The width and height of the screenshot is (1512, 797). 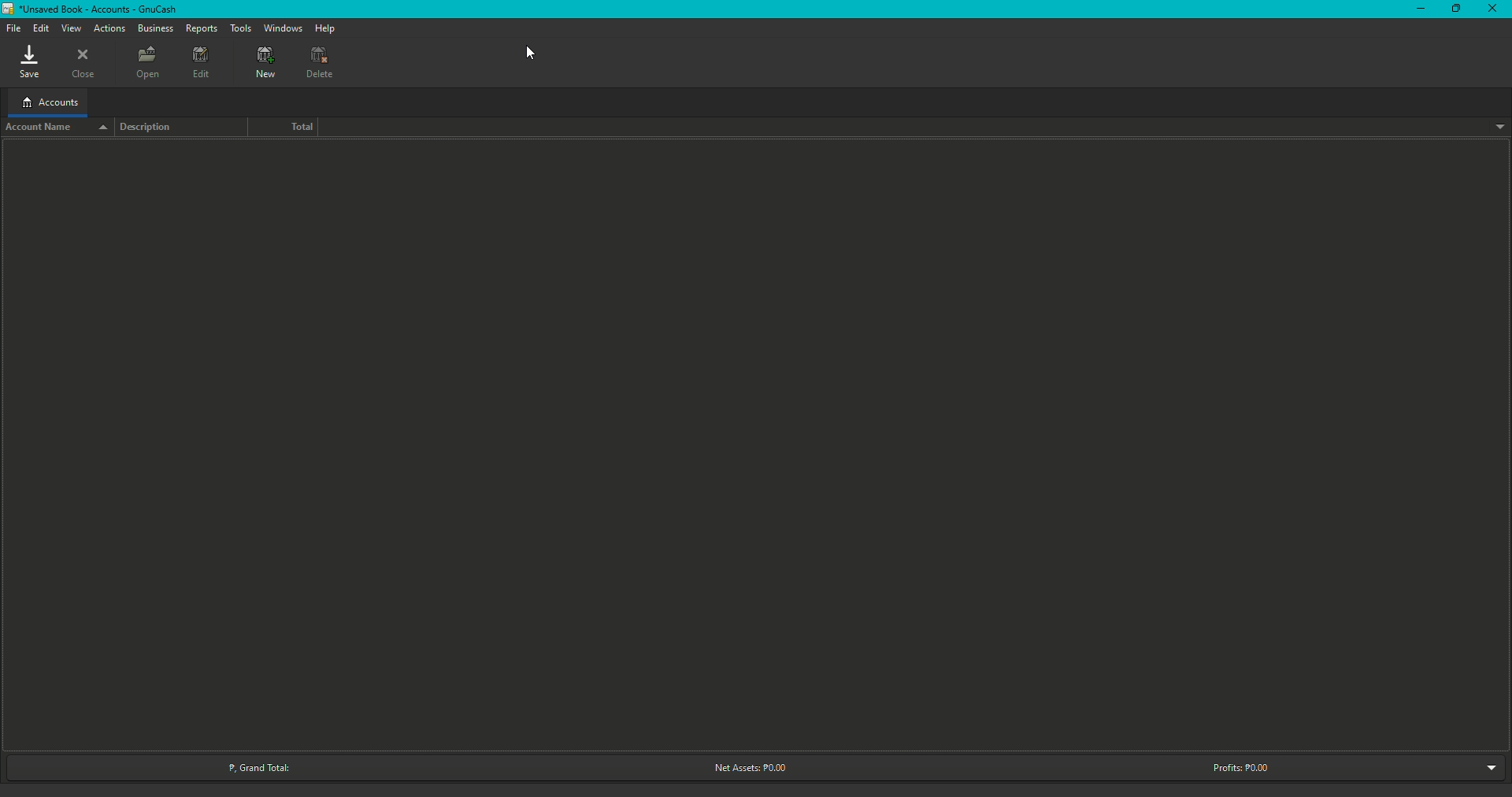 What do you see at coordinates (534, 54) in the screenshot?
I see `Cursor` at bounding box center [534, 54].